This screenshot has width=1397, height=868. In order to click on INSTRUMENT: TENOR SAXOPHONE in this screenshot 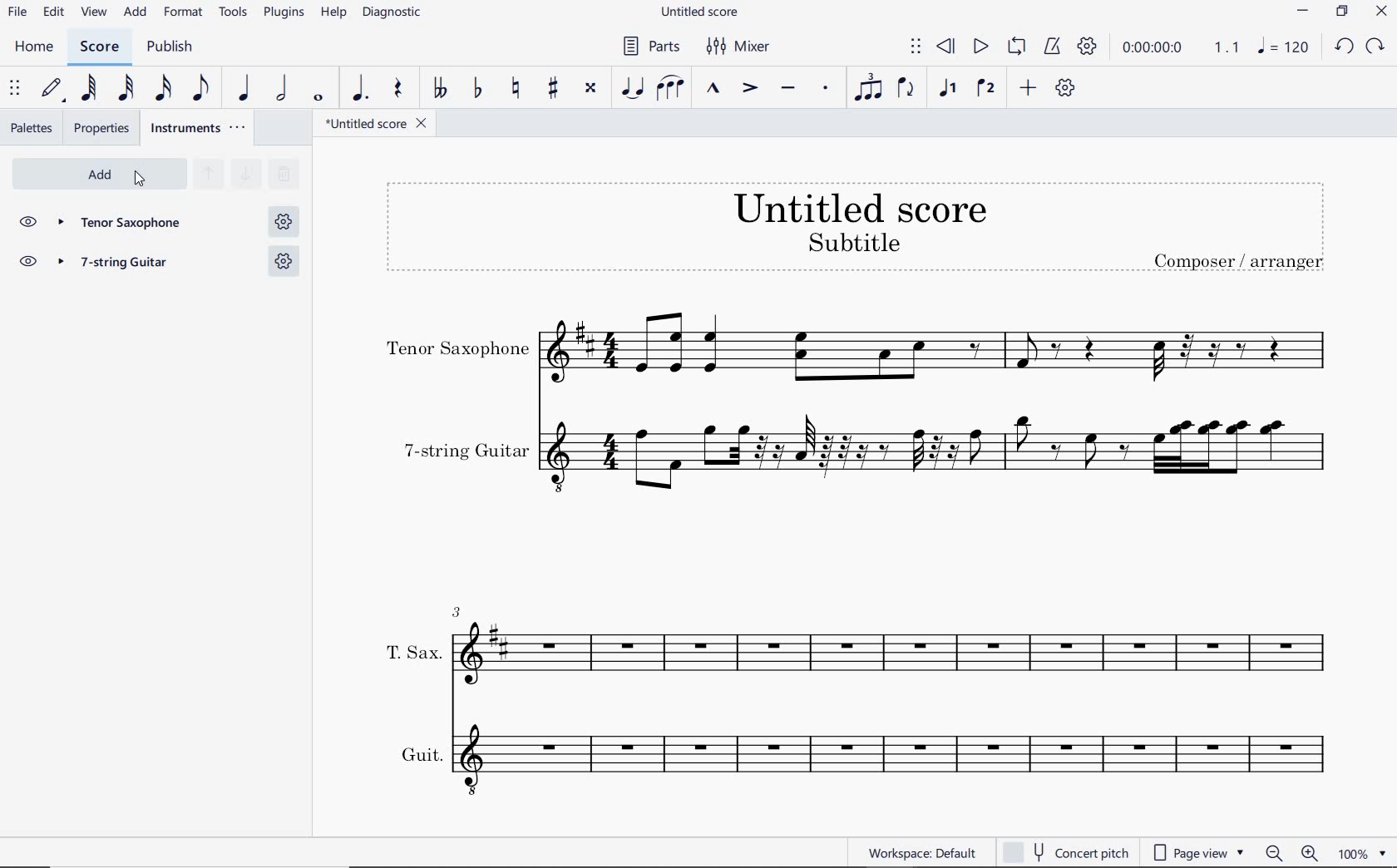, I will do `click(856, 352)`.